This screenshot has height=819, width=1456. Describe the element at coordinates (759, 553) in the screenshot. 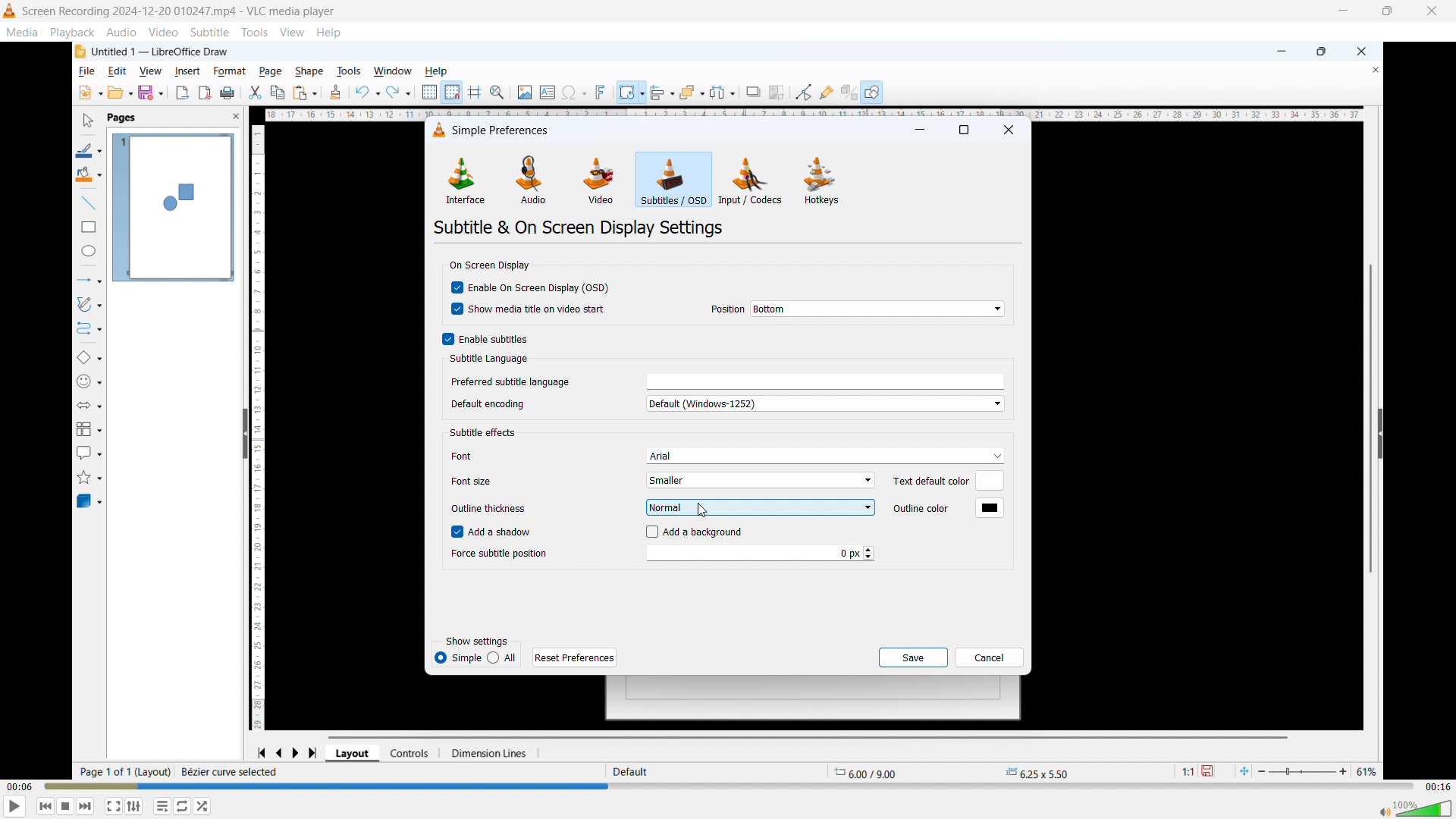

I see `Force subtitle position` at that location.